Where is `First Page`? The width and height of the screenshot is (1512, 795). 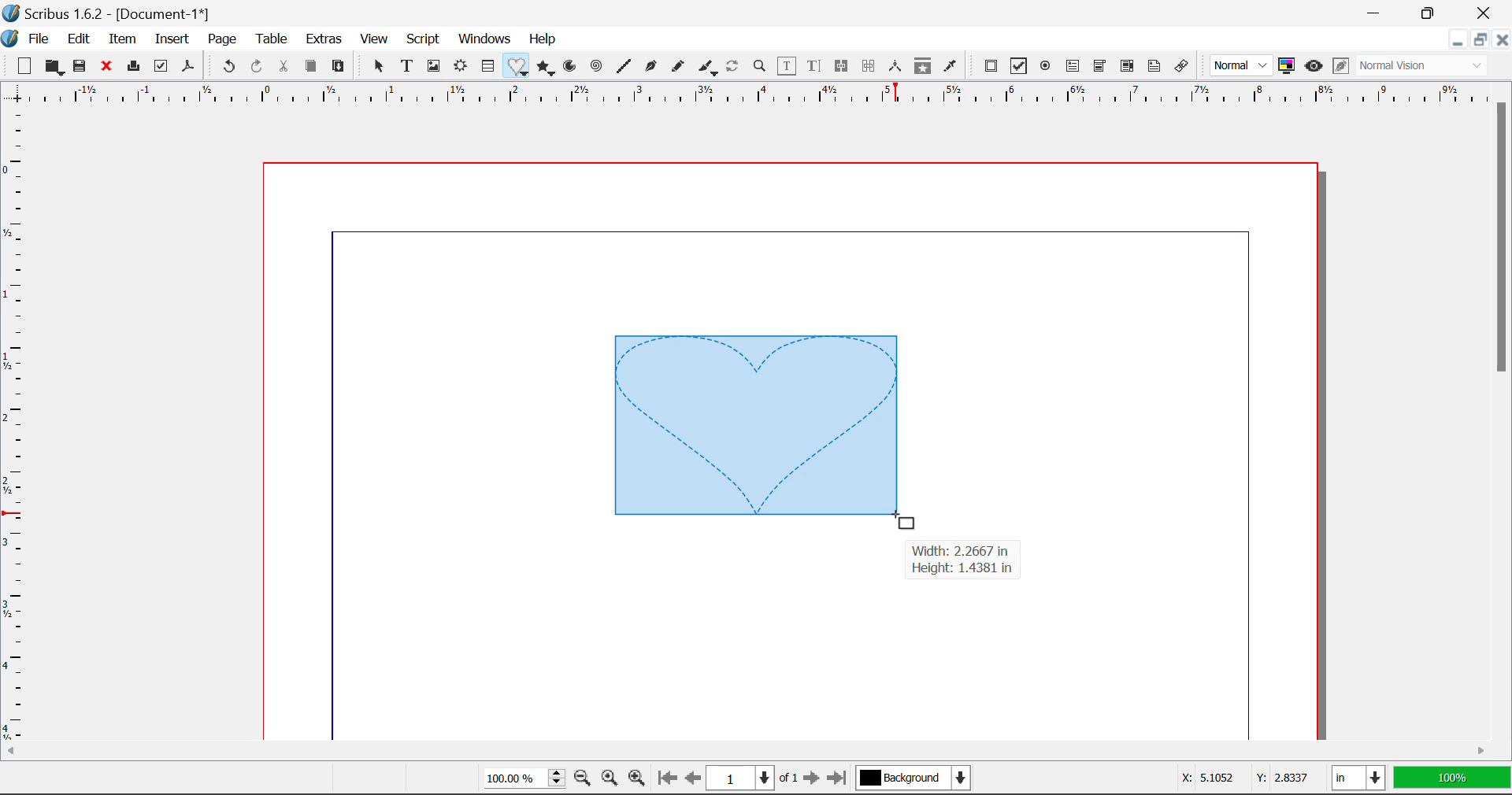 First Page is located at coordinates (667, 778).